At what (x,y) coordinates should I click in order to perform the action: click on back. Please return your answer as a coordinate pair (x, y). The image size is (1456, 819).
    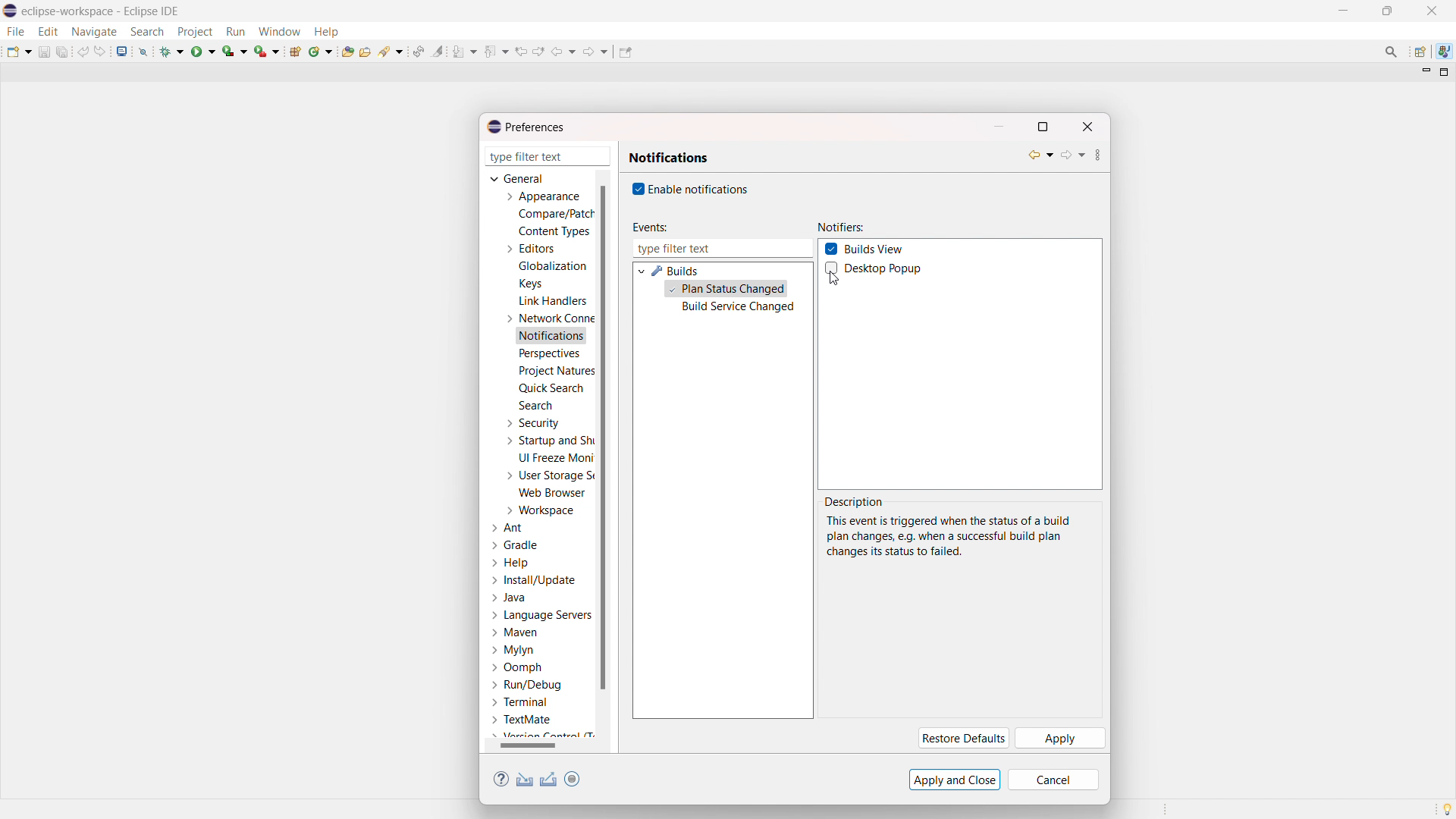
    Looking at the image, I should click on (563, 52).